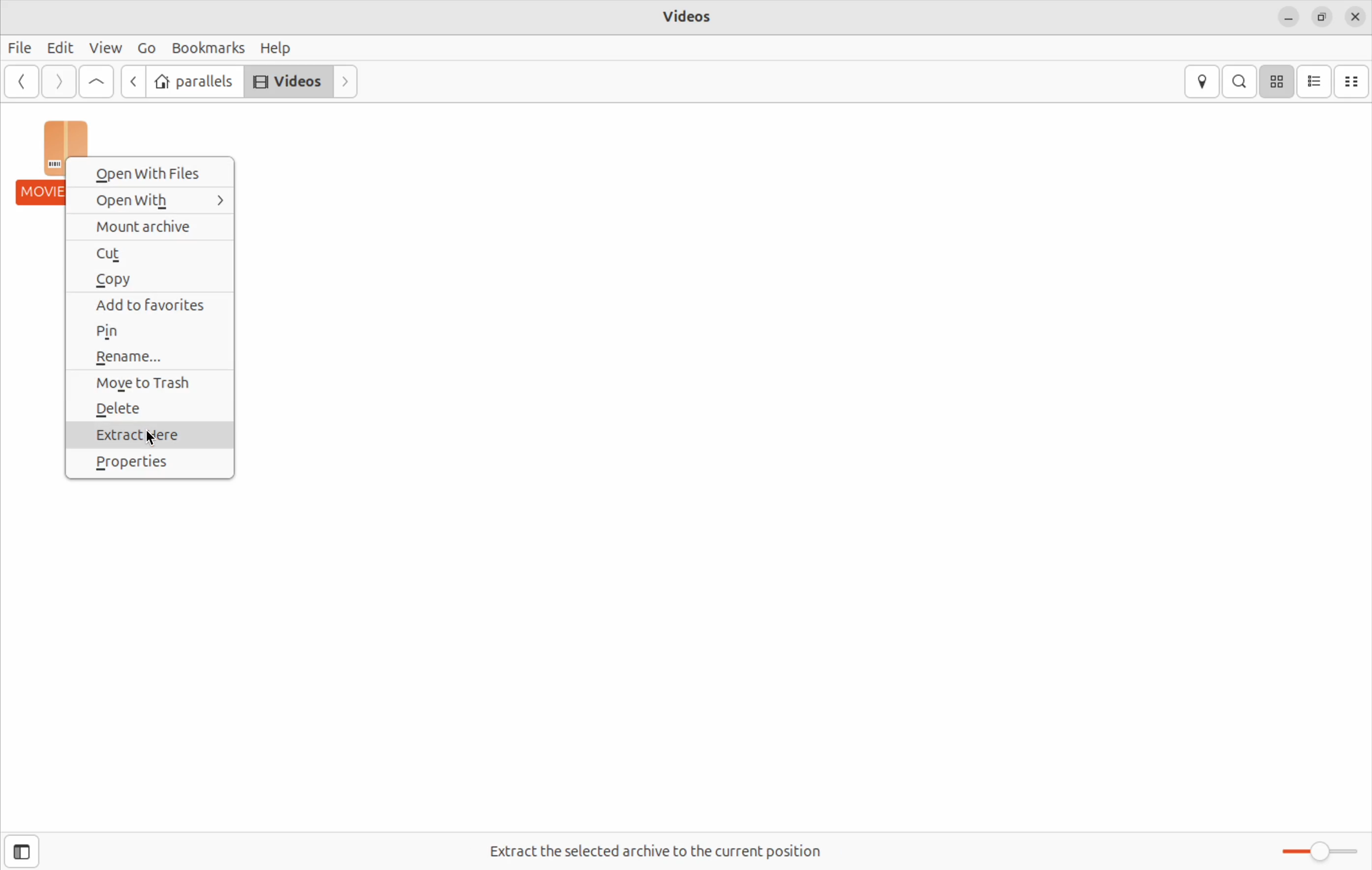 The width and height of the screenshot is (1372, 870). What do you see at coordinates (288, 81) in the screenshot?
I see `videos` at bounding box center [288, 81].